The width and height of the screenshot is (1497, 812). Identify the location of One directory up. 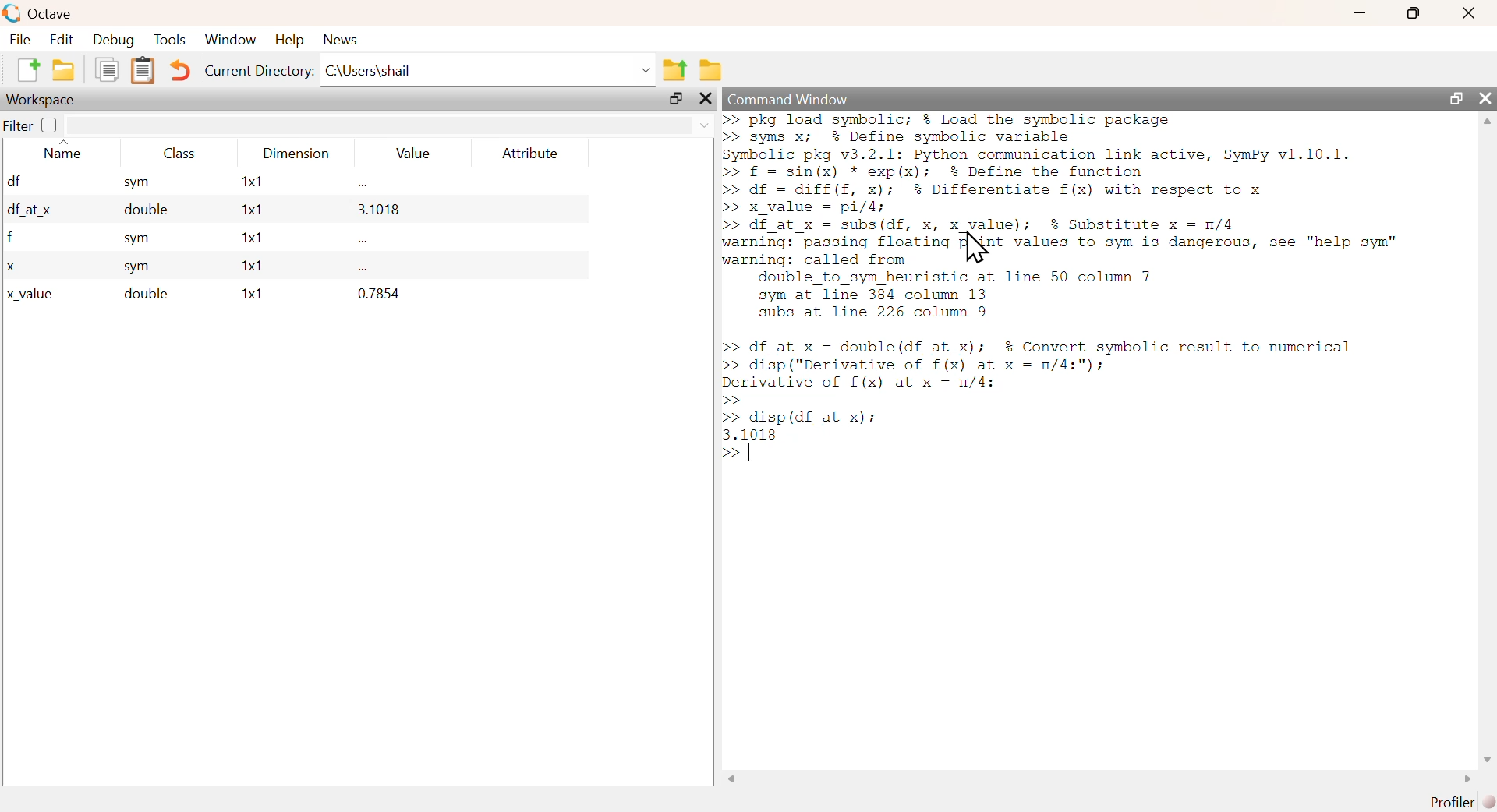
(675, 66).